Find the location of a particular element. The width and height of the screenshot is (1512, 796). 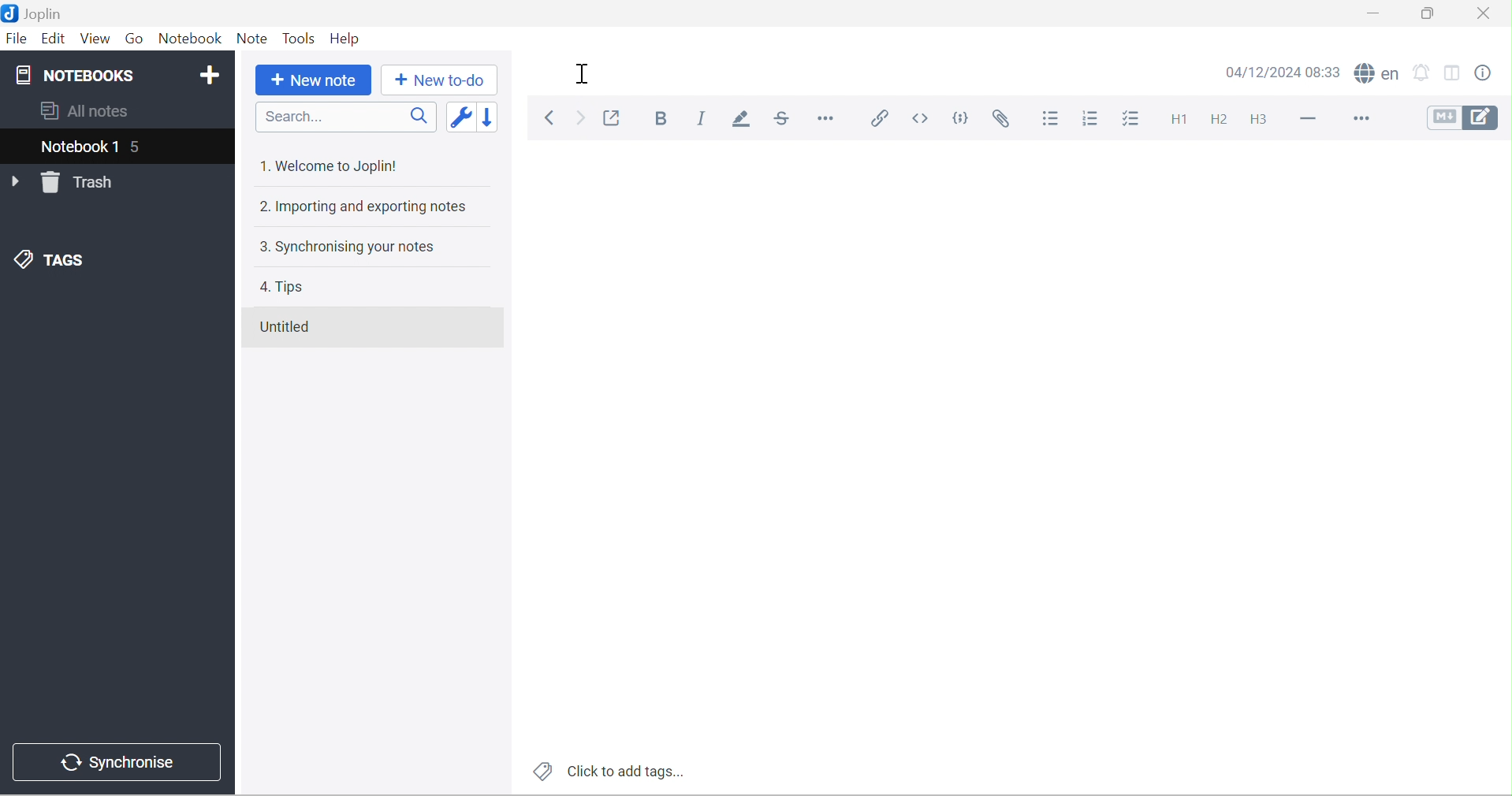

Numbered list is located at coordinates (1095, 120).